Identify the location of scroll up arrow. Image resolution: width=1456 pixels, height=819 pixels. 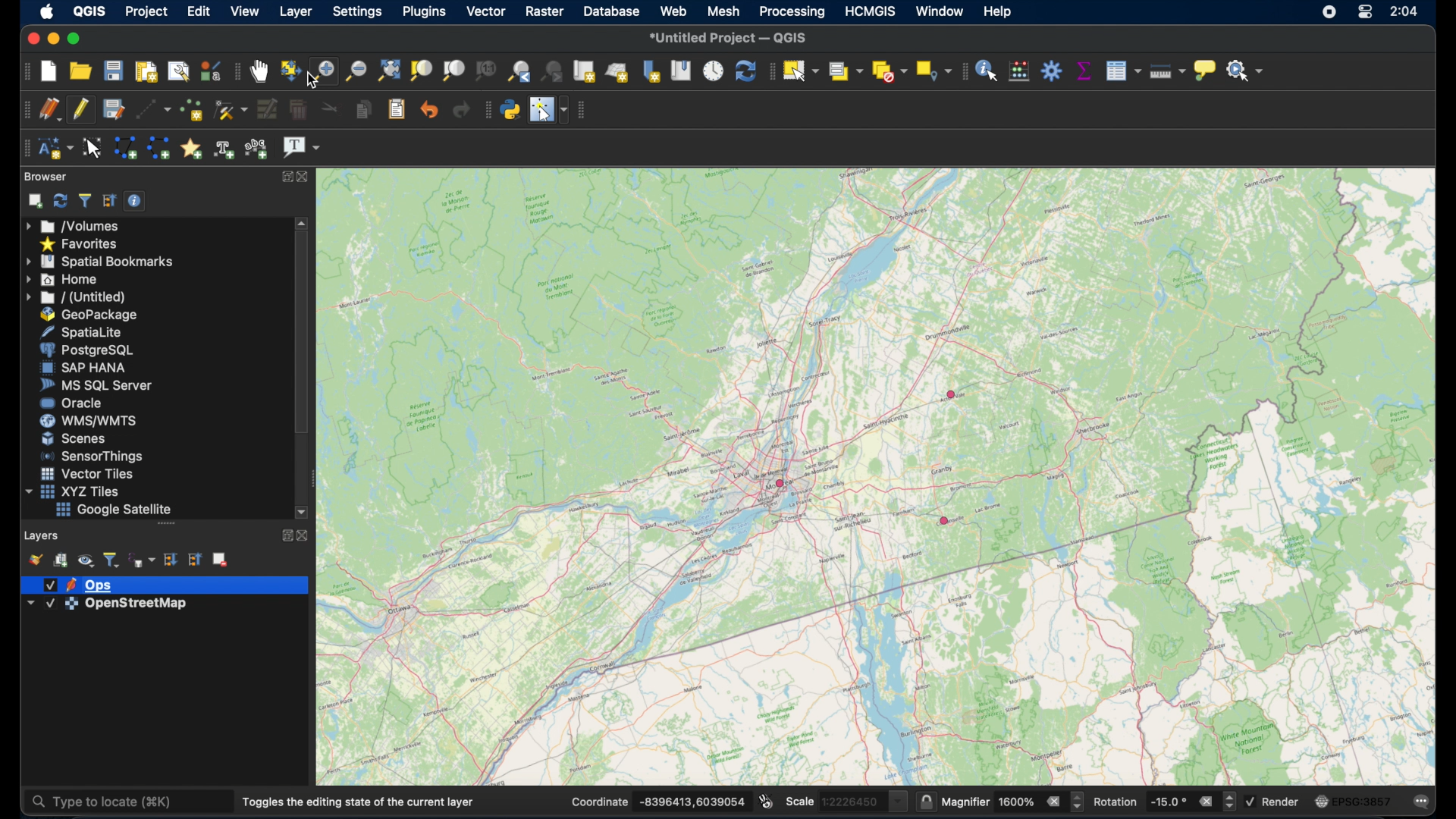
(302, 225).